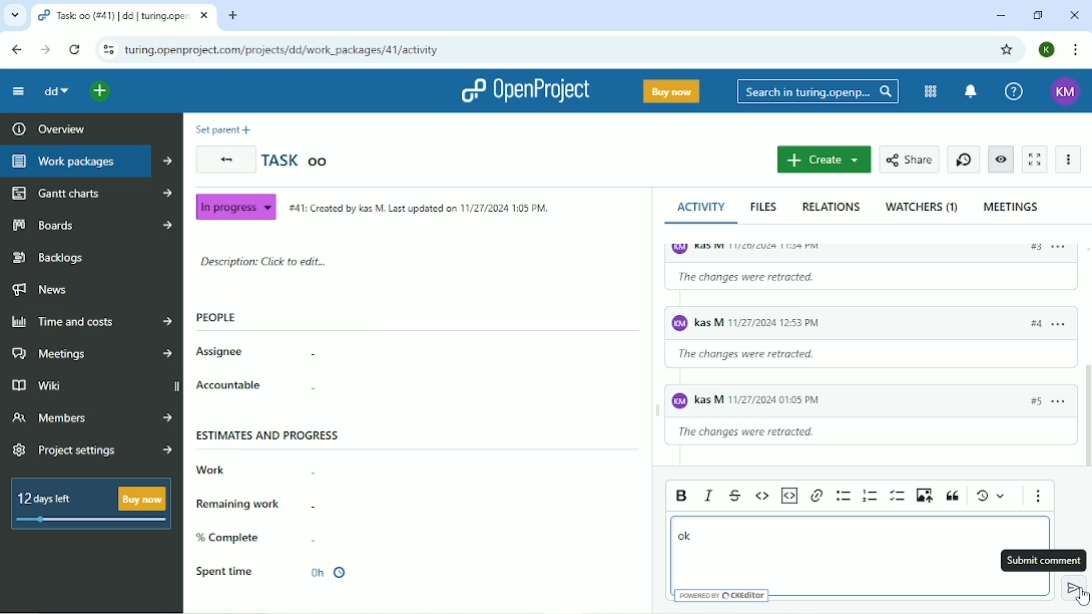  Describe the element at coordinates (1039, 16) in the screenshot. I see `Restore down` at that location.